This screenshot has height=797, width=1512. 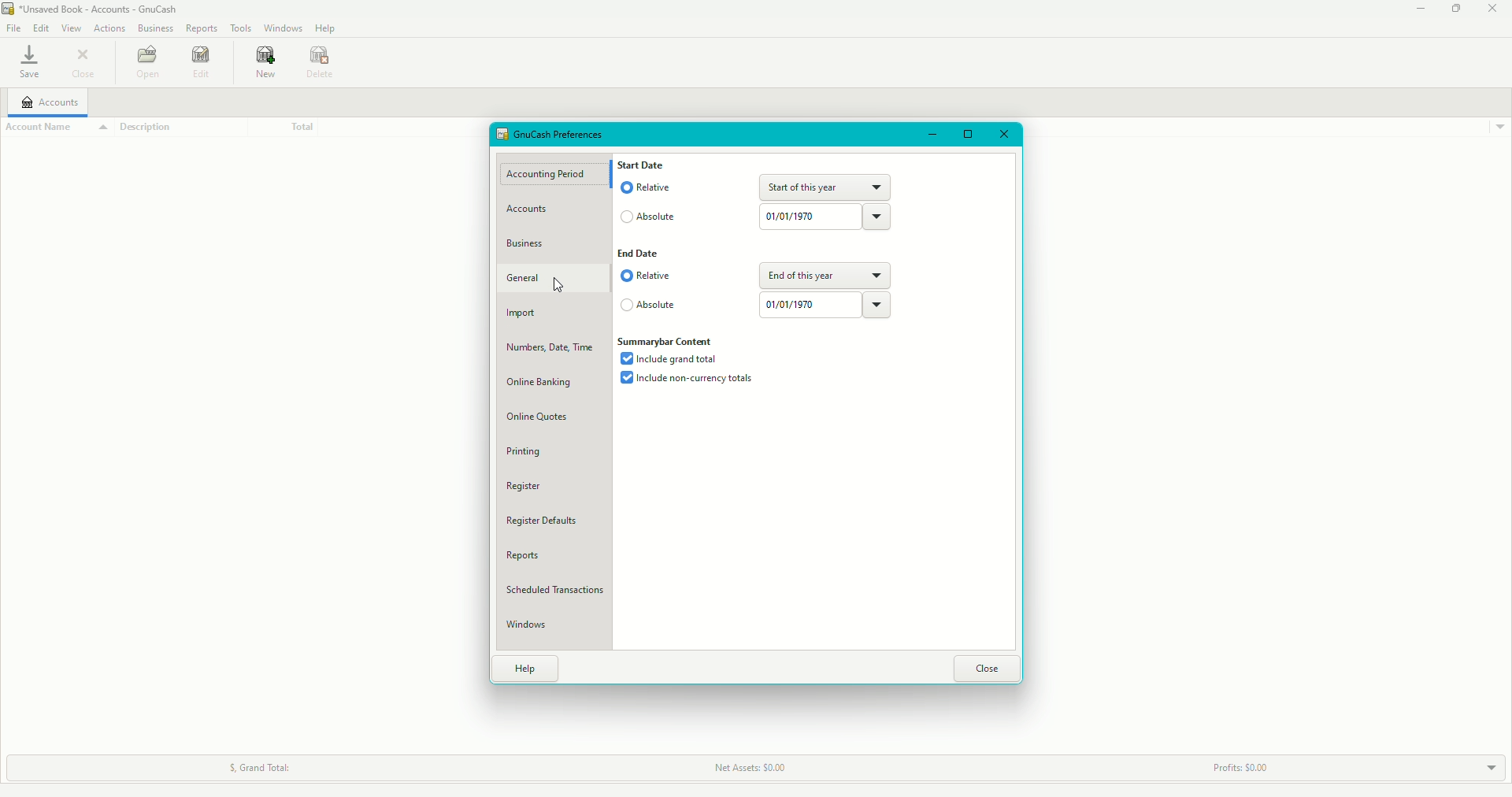 I want to click on Total, so click(x=279, y=126).